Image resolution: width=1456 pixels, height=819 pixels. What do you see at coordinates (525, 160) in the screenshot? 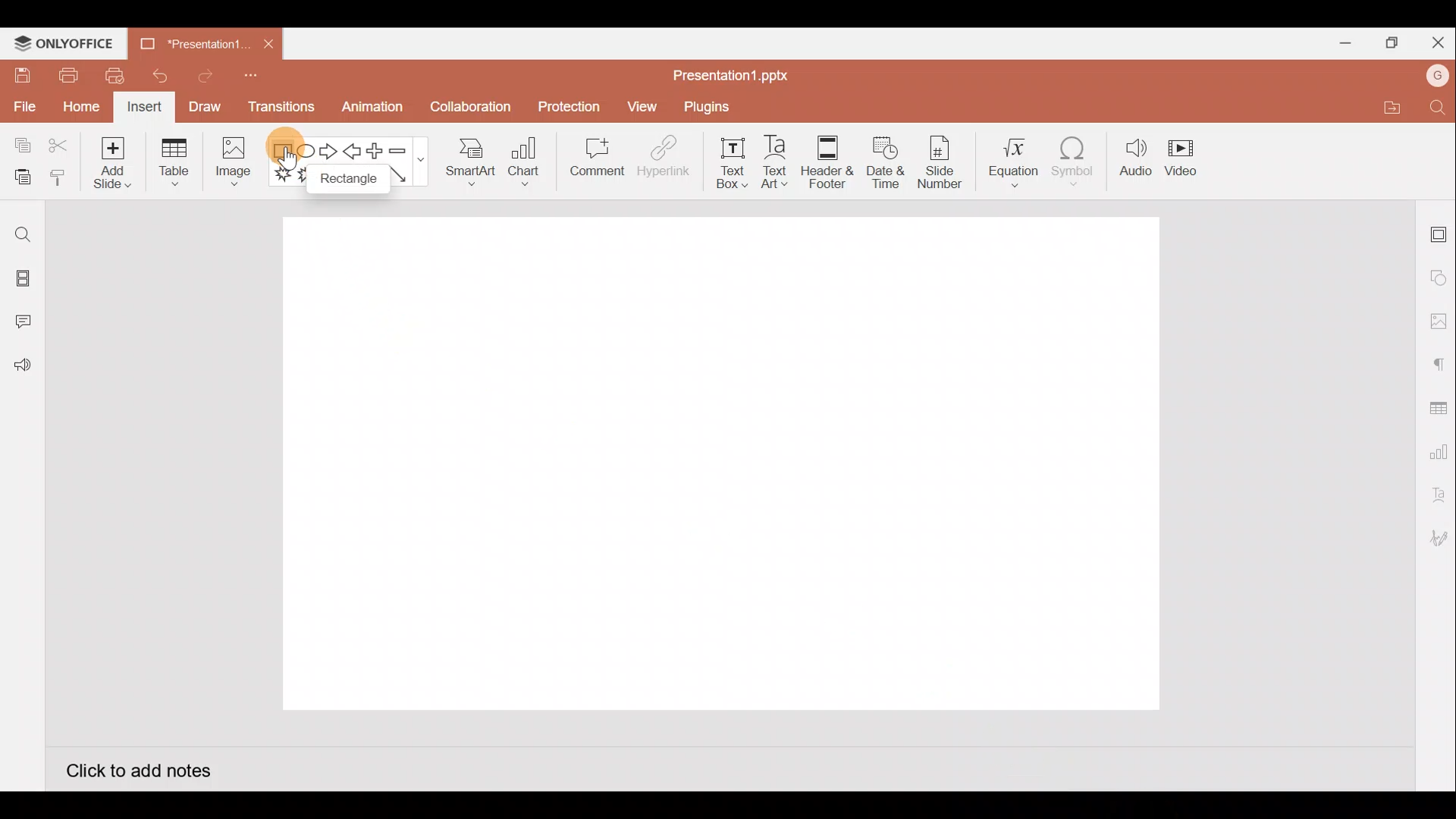
I see `Chart` at bounding box center [525, 160].